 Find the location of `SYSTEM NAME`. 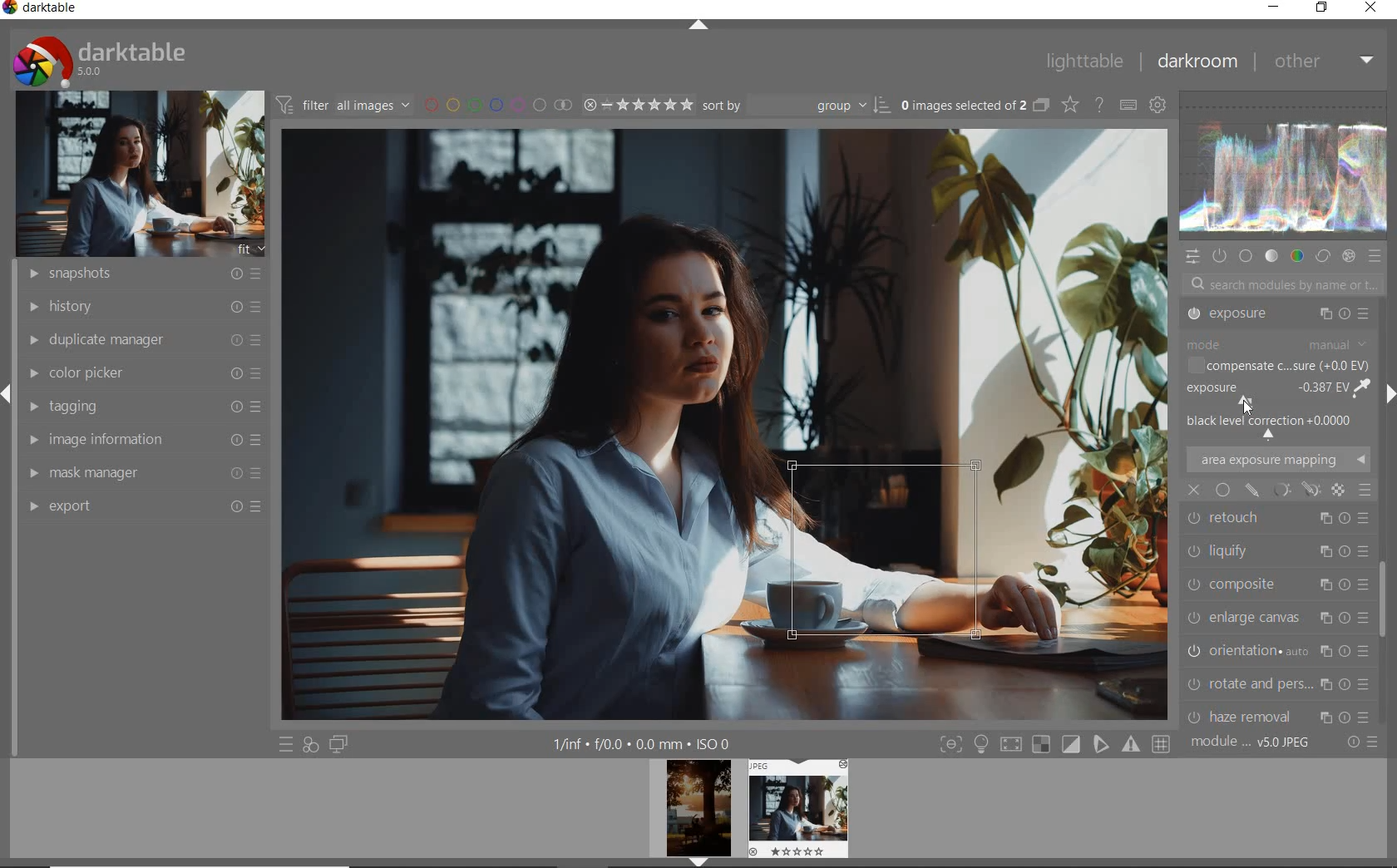

SYSTEM NAME is located at coordinates (42, 11).